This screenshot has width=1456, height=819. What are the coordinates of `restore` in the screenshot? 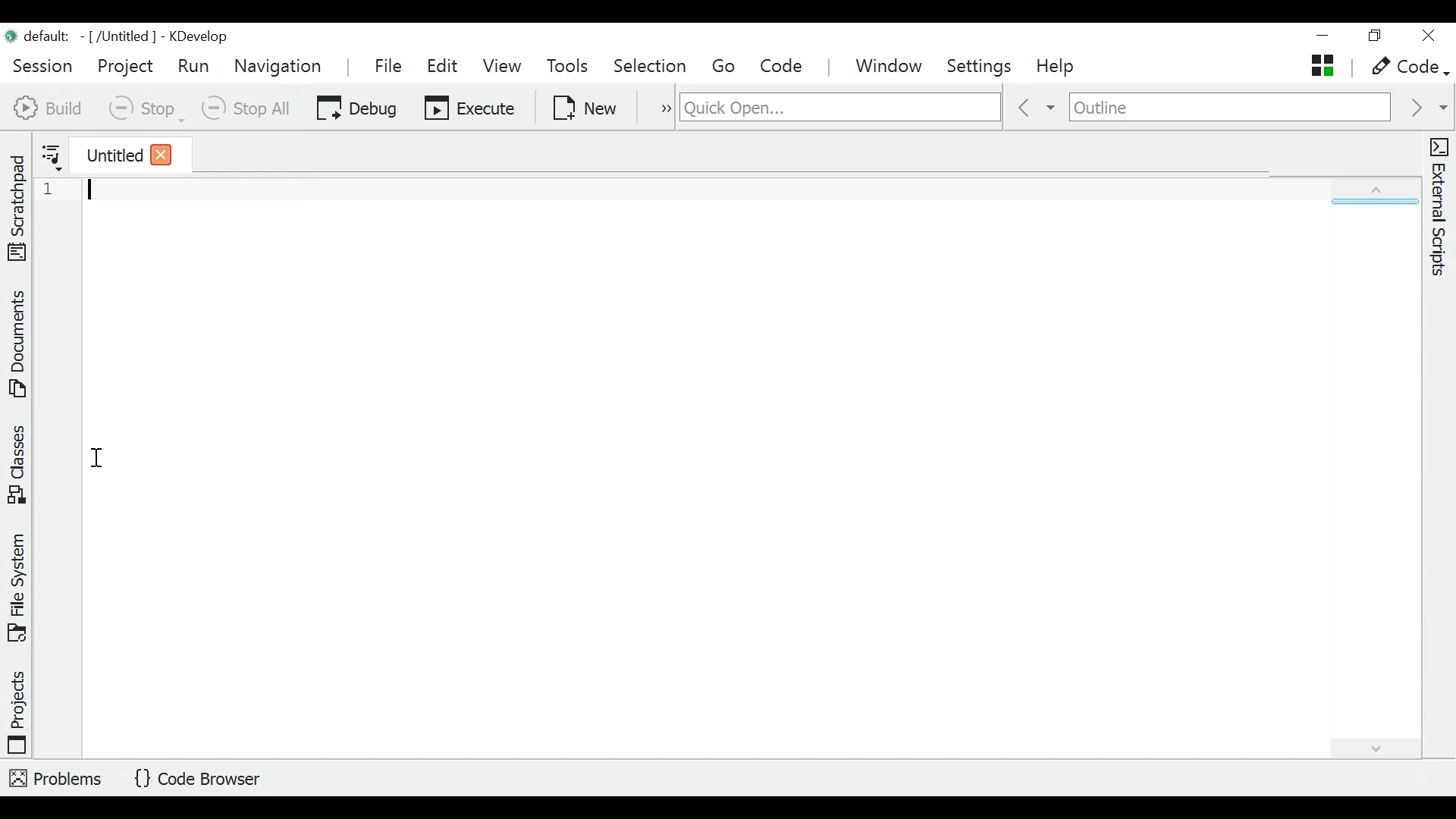 It's located at (1379, 37).